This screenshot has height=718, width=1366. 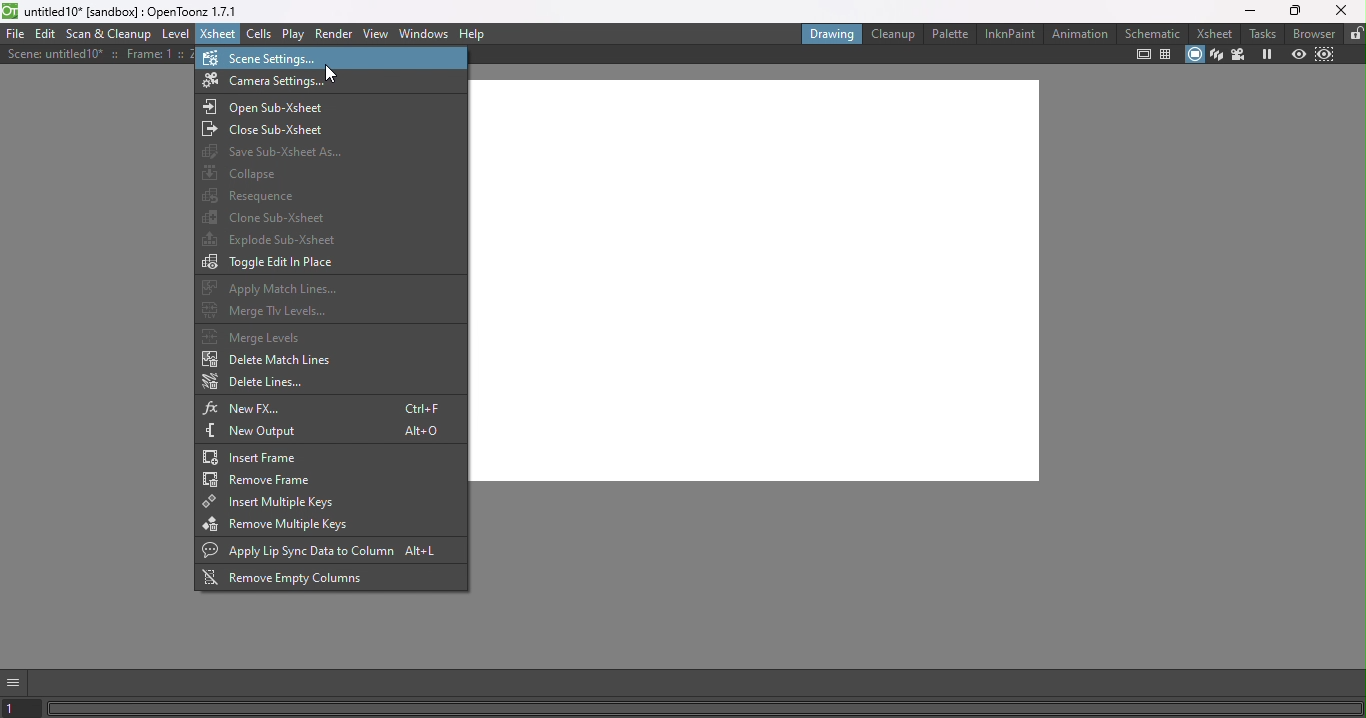 I want to click on New Output, so click(x=327, y=432).